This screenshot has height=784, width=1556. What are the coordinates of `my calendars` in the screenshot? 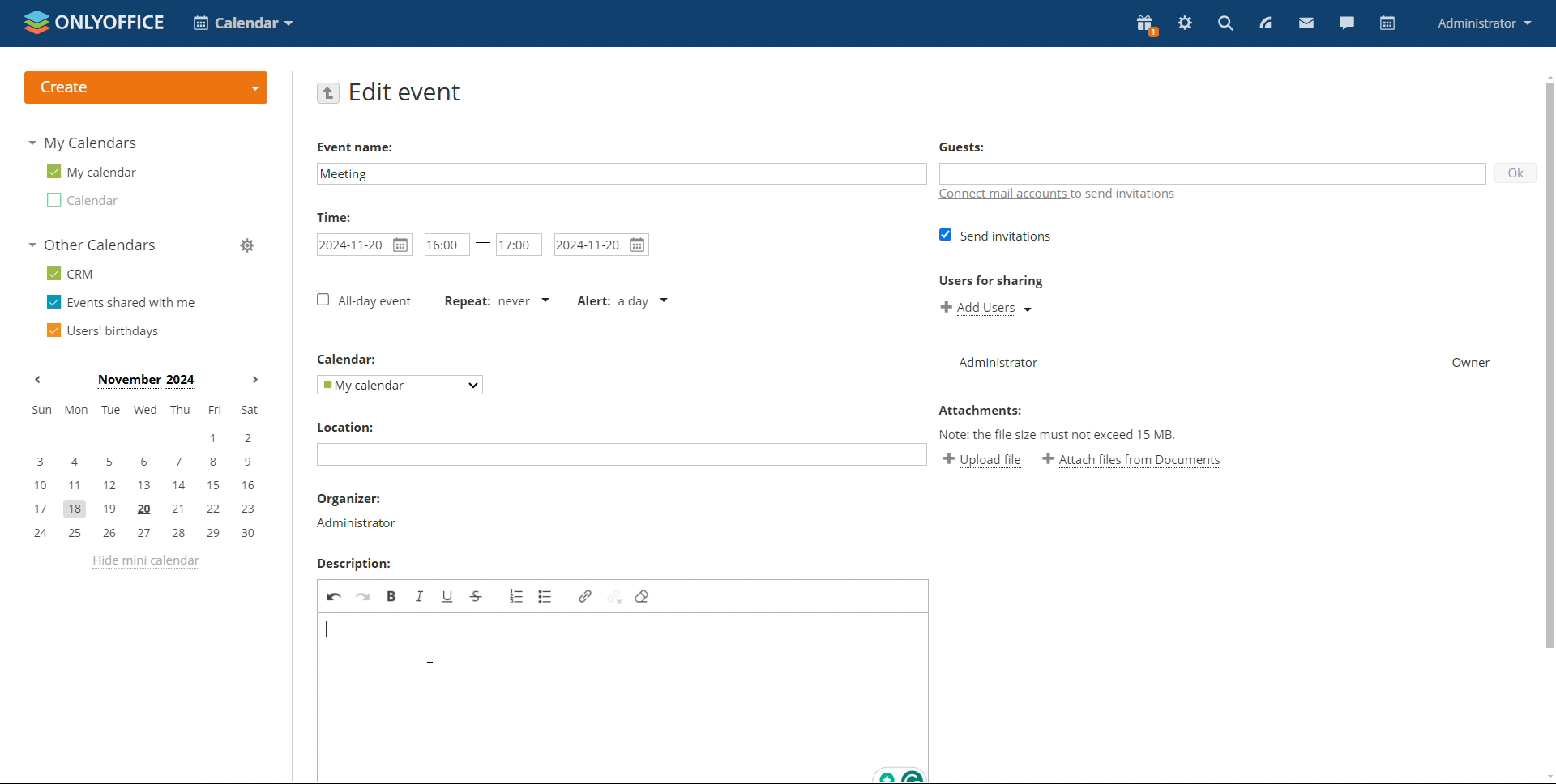 It's located at (83, 143).